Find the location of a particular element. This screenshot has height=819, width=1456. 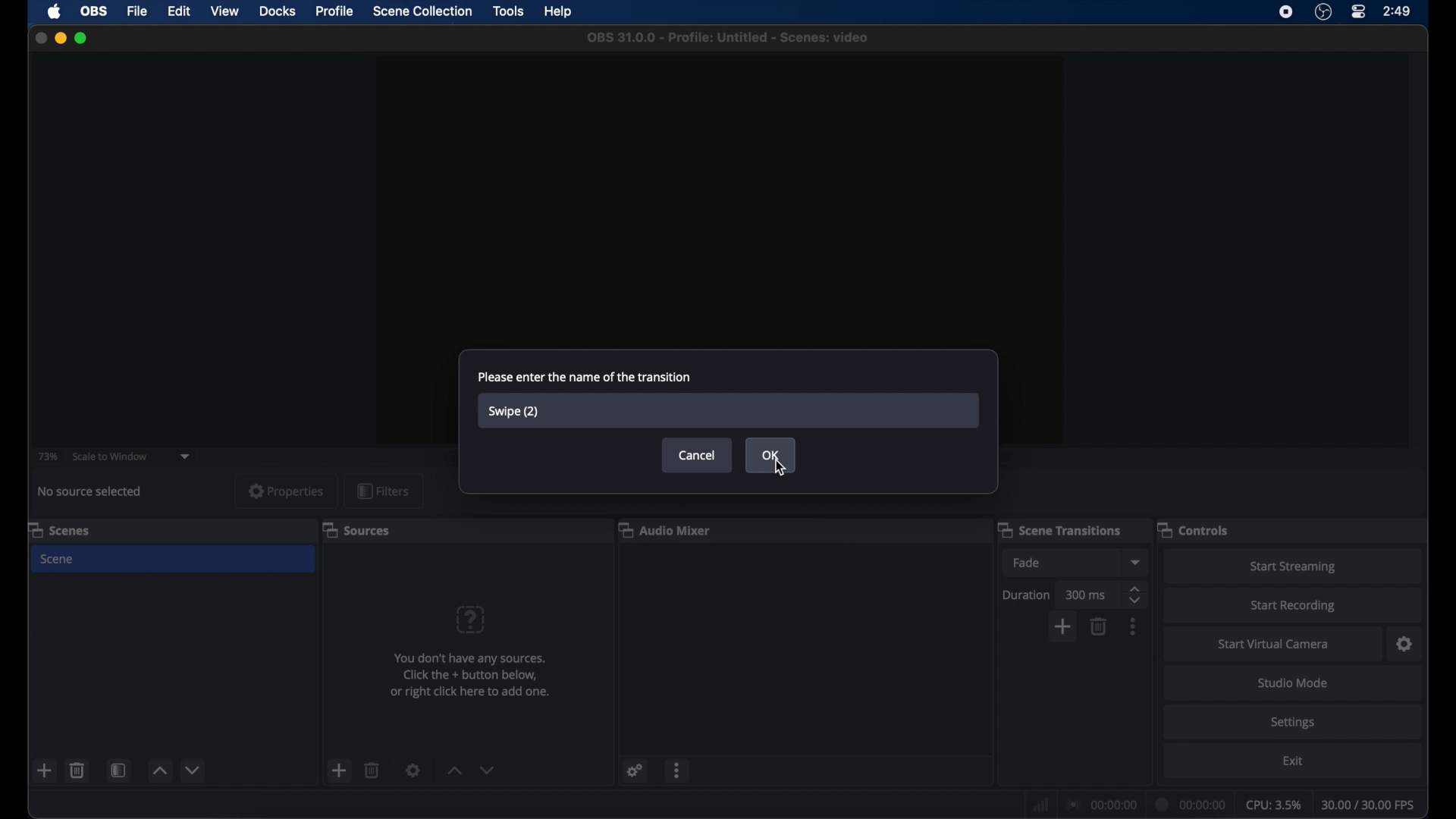

cpu is located at coordinates (1272, 805).